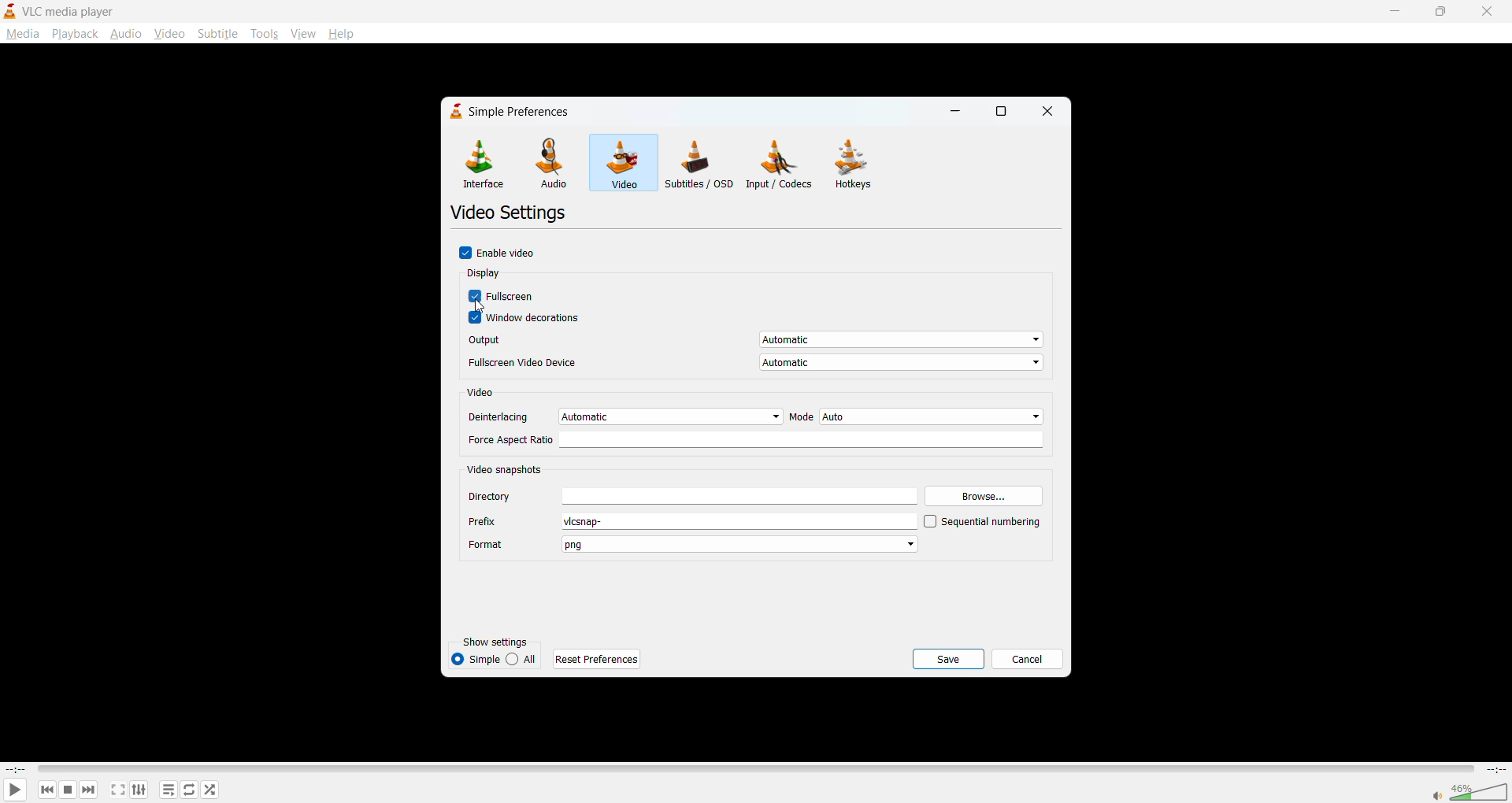 The height and width of the screenshot is (803, 1512). Describe the element at coordinates (504, 297) in the screenshot. I see `fullscreen` at that location.